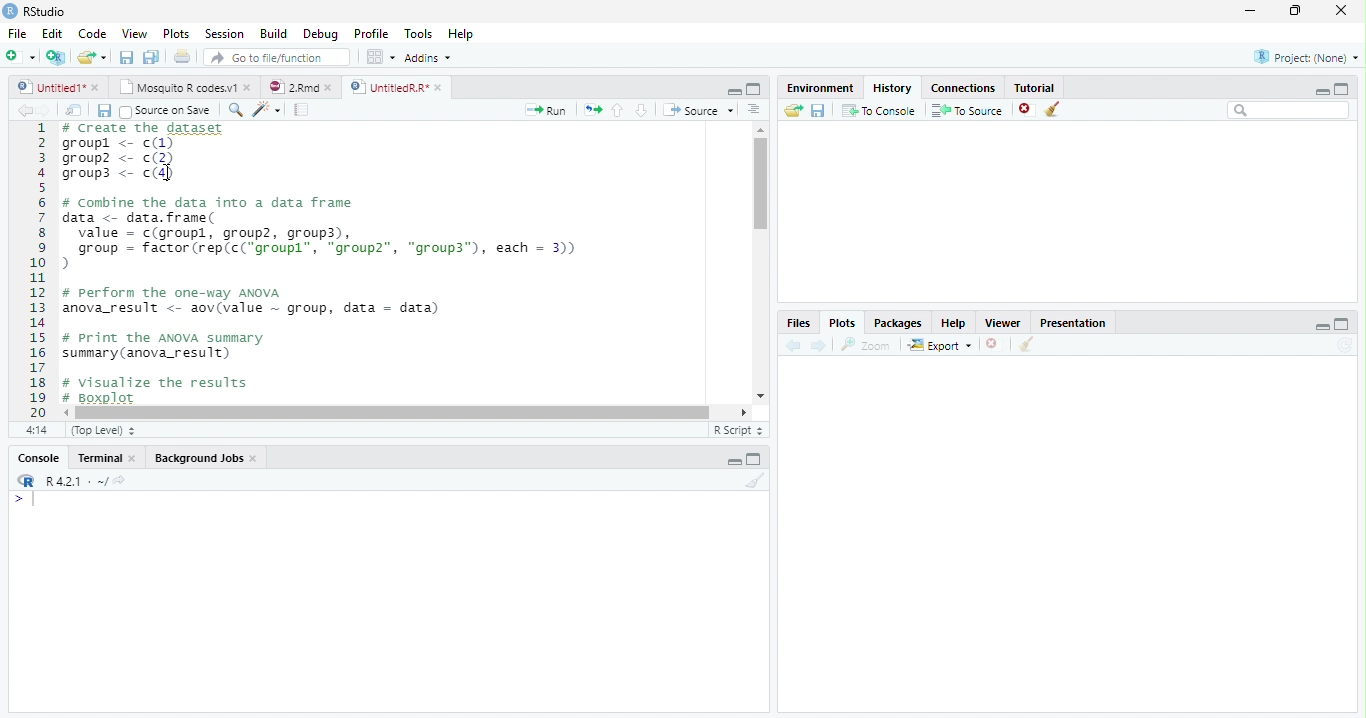 This screenshot has width=1366, height=718. Describe the element at coordinates (819, 346) in the screenshot. I see `Next` at that location.